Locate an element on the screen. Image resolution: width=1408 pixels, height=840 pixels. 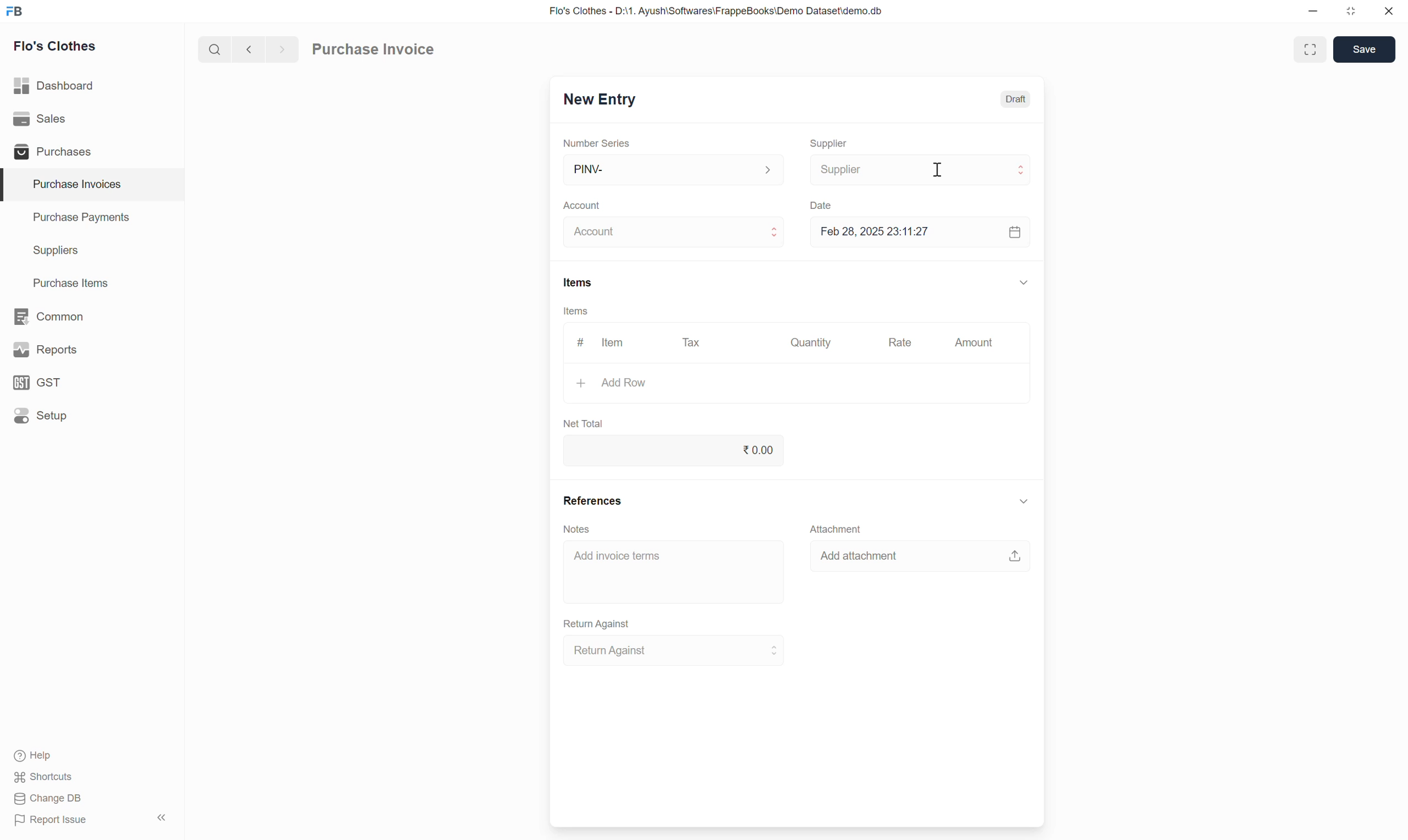
Sales is located at coordinates (91, 119).